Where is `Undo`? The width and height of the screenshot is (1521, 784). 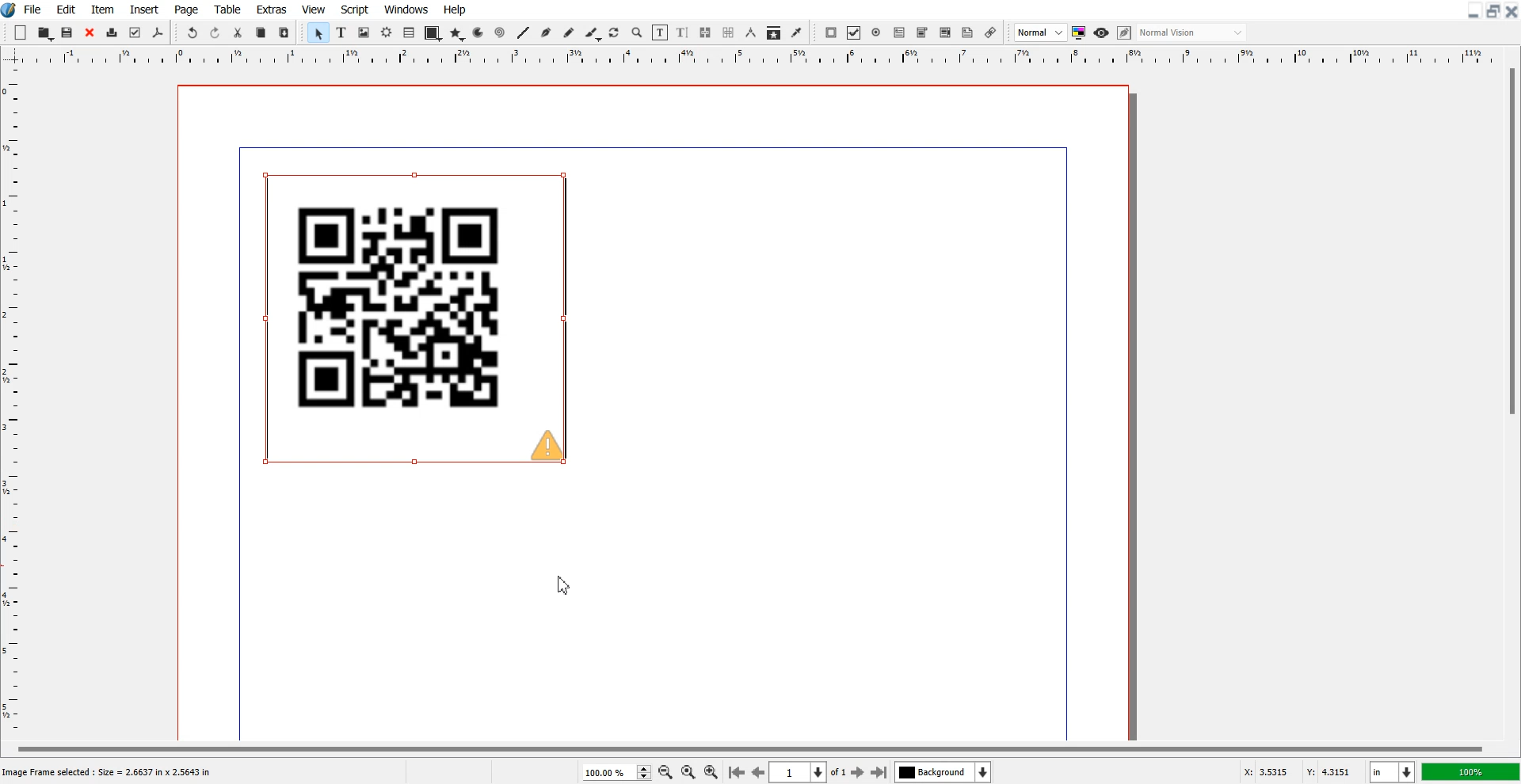 Undo is located at coordinates (193, 32).